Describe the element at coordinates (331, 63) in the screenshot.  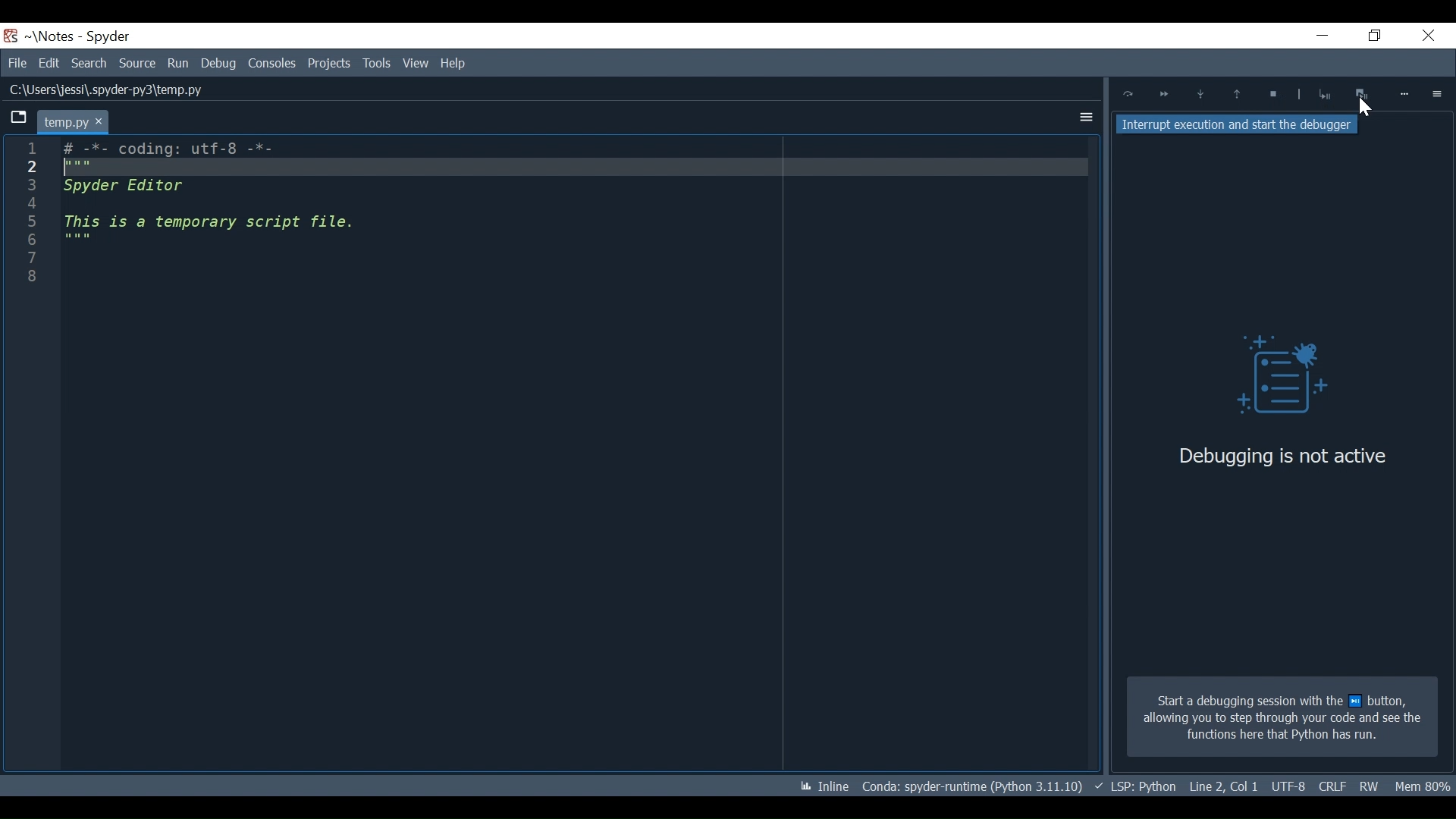
I see `Tools` at that location.